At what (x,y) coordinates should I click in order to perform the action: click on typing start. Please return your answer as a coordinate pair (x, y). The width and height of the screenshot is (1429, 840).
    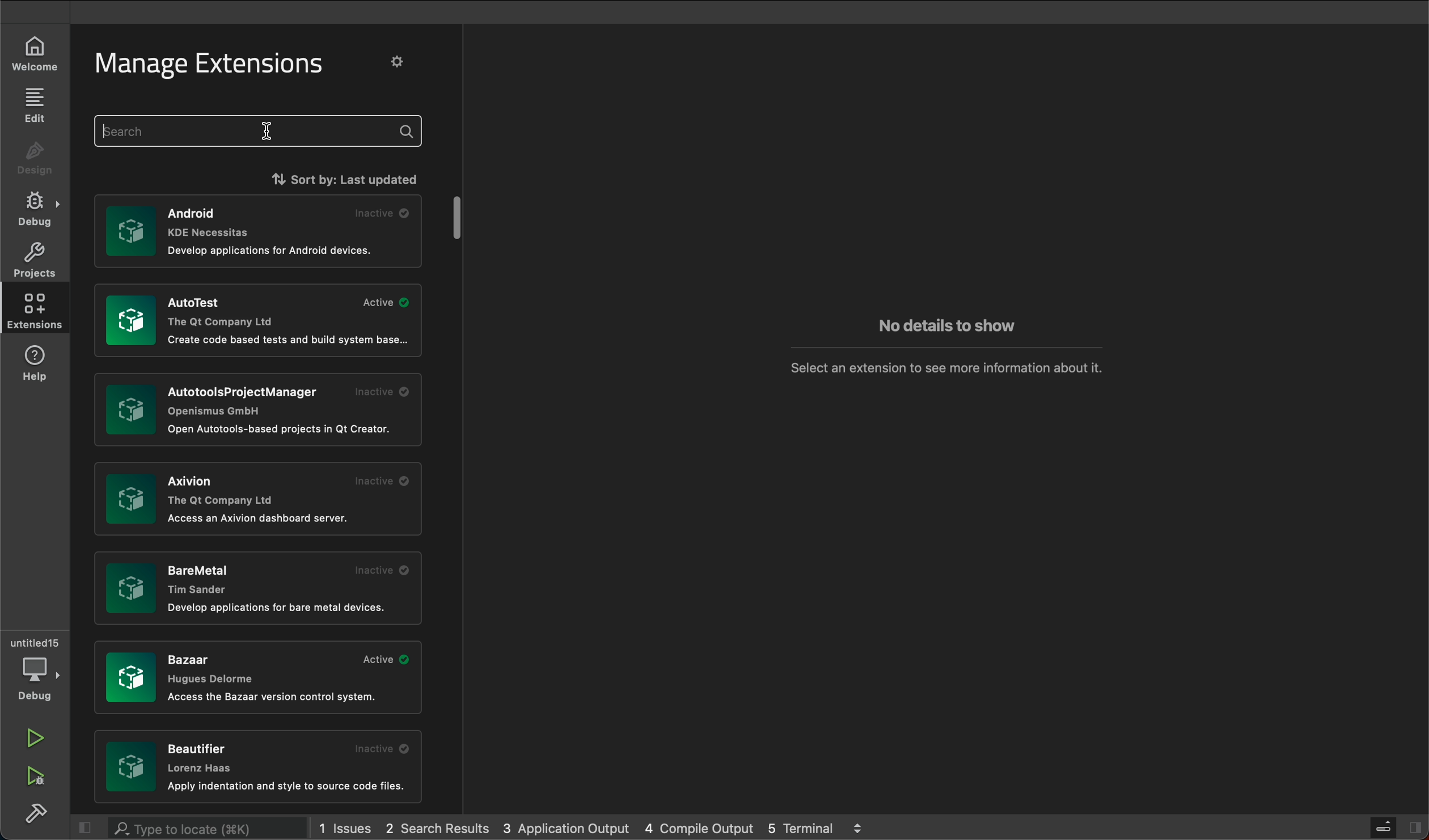
    Looking at the image, I should click on (260, 130).